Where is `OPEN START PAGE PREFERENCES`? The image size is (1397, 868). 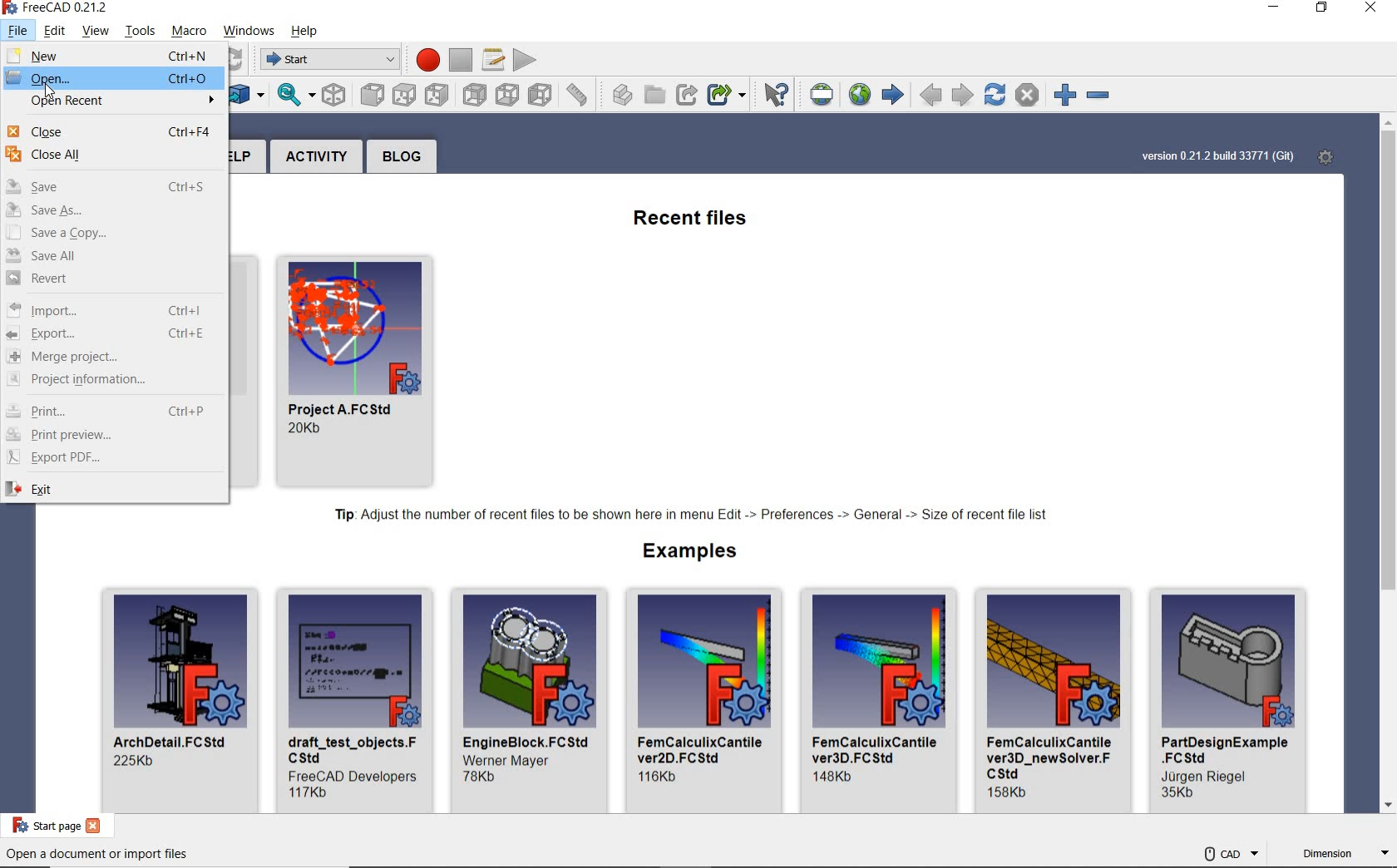 OPEN START PAGE PREFERENCES is located at coordinates (1323, 155).